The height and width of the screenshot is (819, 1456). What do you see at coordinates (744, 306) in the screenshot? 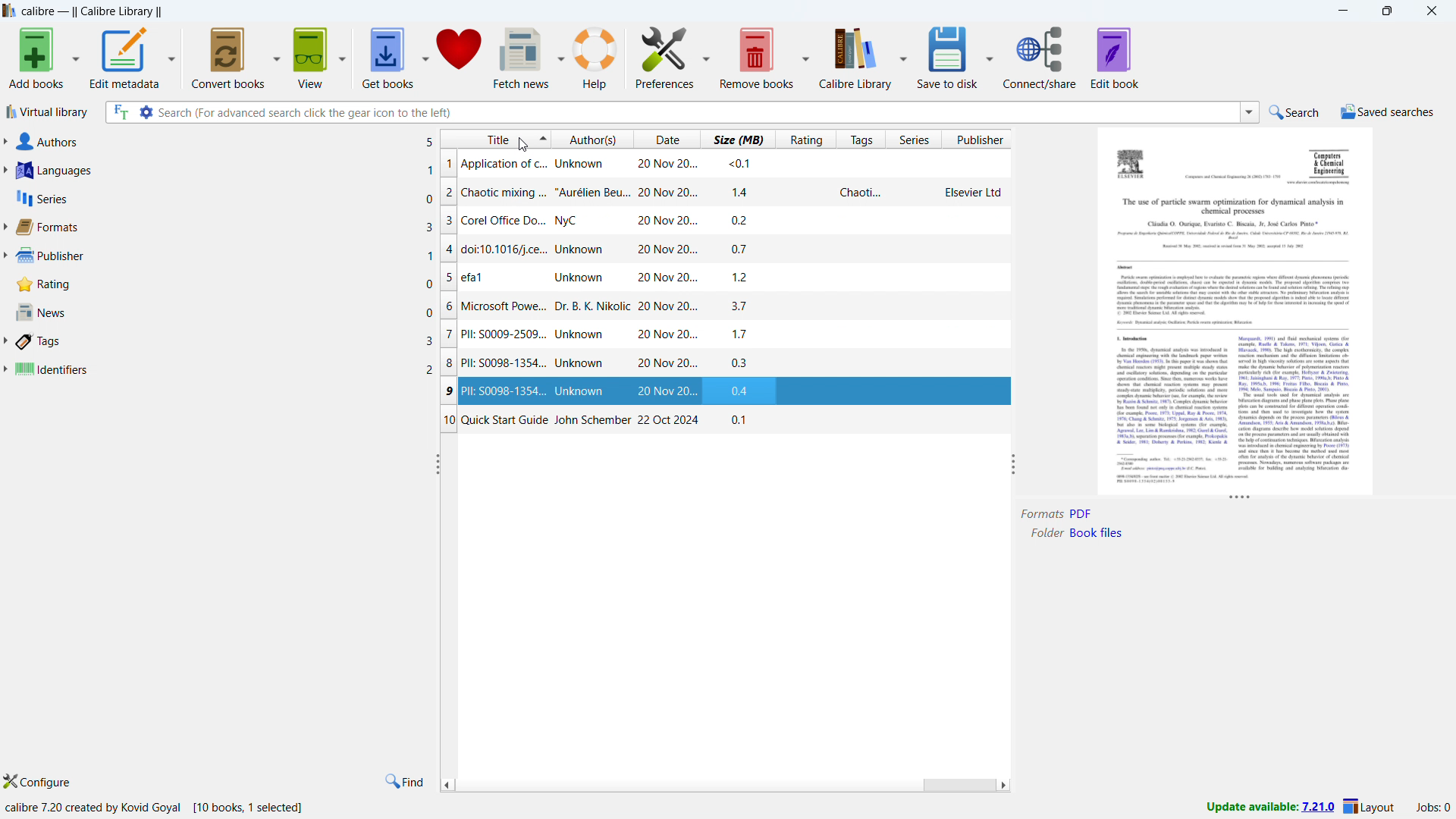
I see `37` at bounding box center [744, 306].